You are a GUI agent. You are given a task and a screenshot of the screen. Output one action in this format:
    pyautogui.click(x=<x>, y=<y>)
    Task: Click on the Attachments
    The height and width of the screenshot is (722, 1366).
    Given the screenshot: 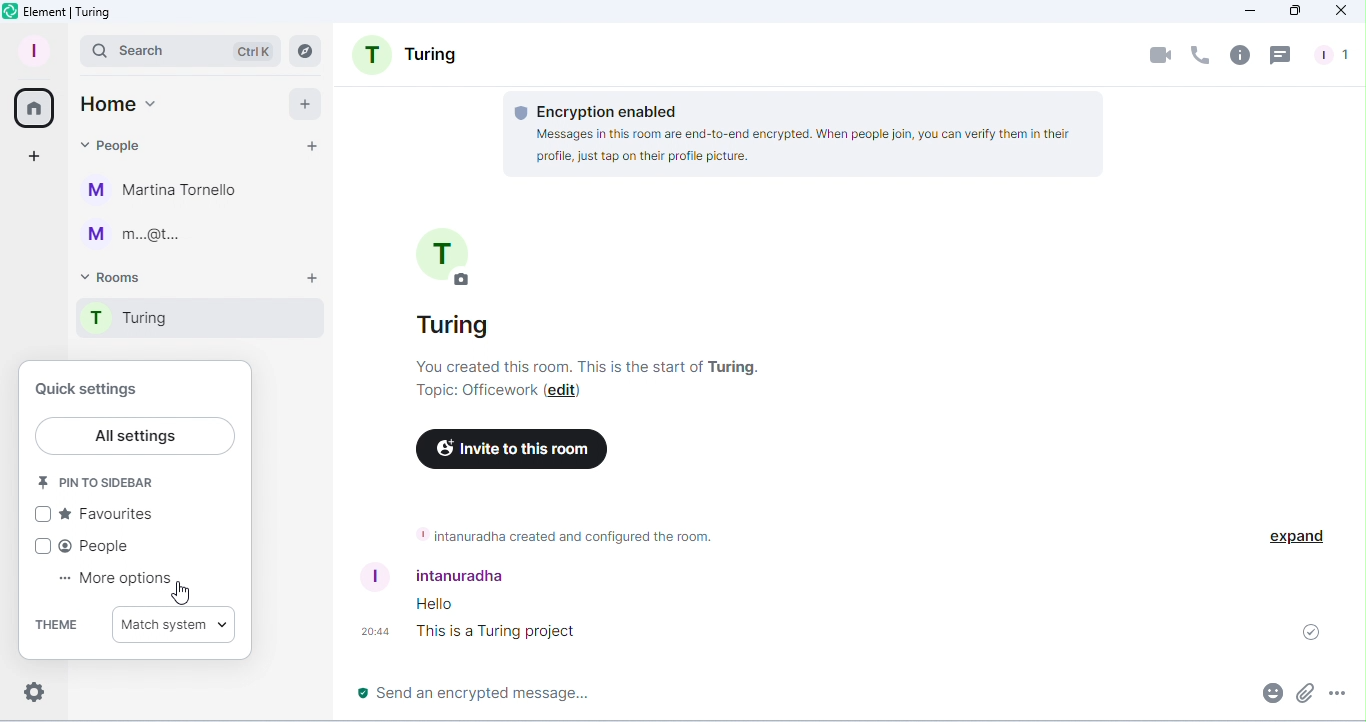 What is the action you would take?
    pyautogui.click(x=1303, y=692)
    